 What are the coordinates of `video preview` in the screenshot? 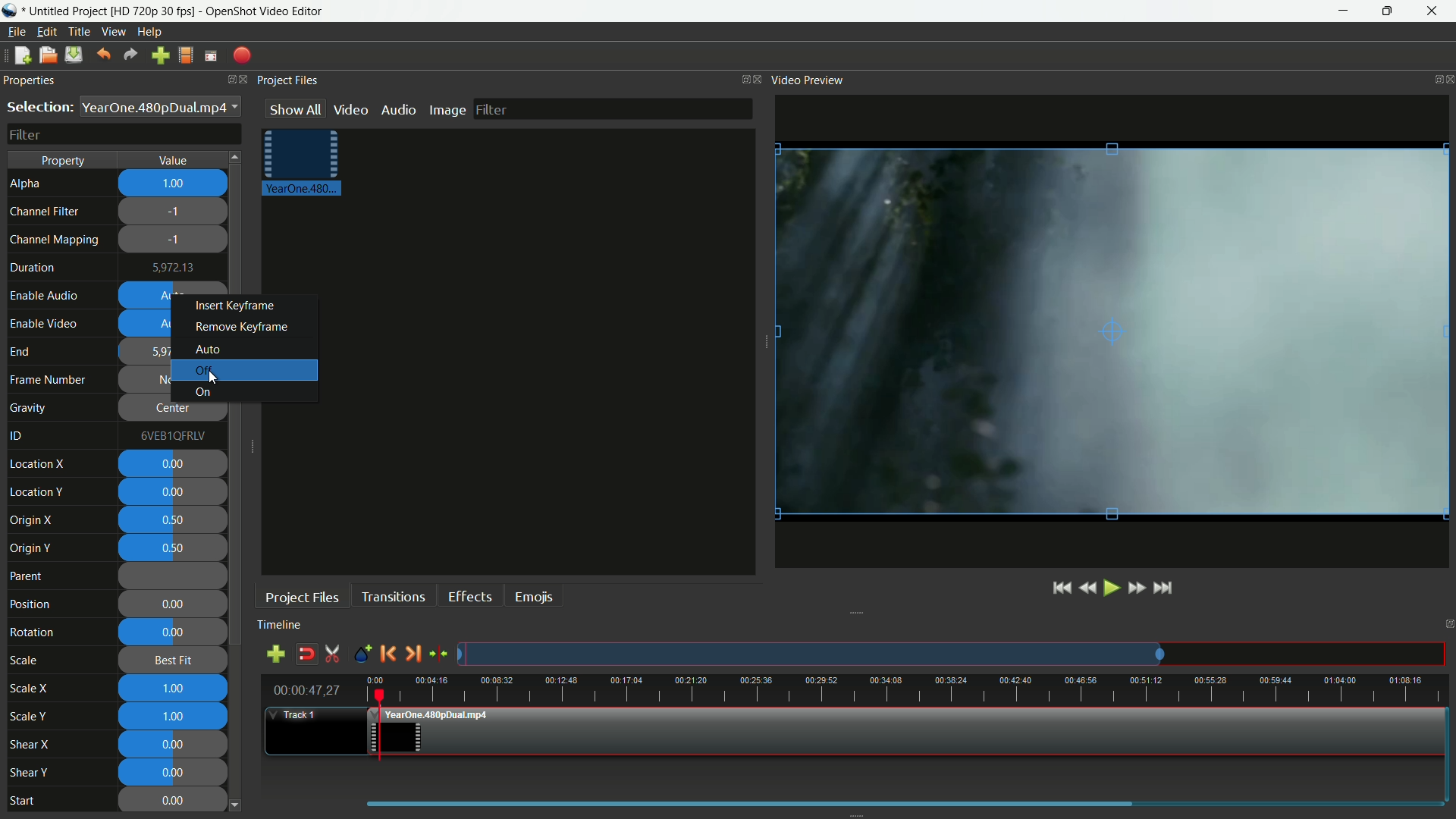 It's located at (1112, 332).